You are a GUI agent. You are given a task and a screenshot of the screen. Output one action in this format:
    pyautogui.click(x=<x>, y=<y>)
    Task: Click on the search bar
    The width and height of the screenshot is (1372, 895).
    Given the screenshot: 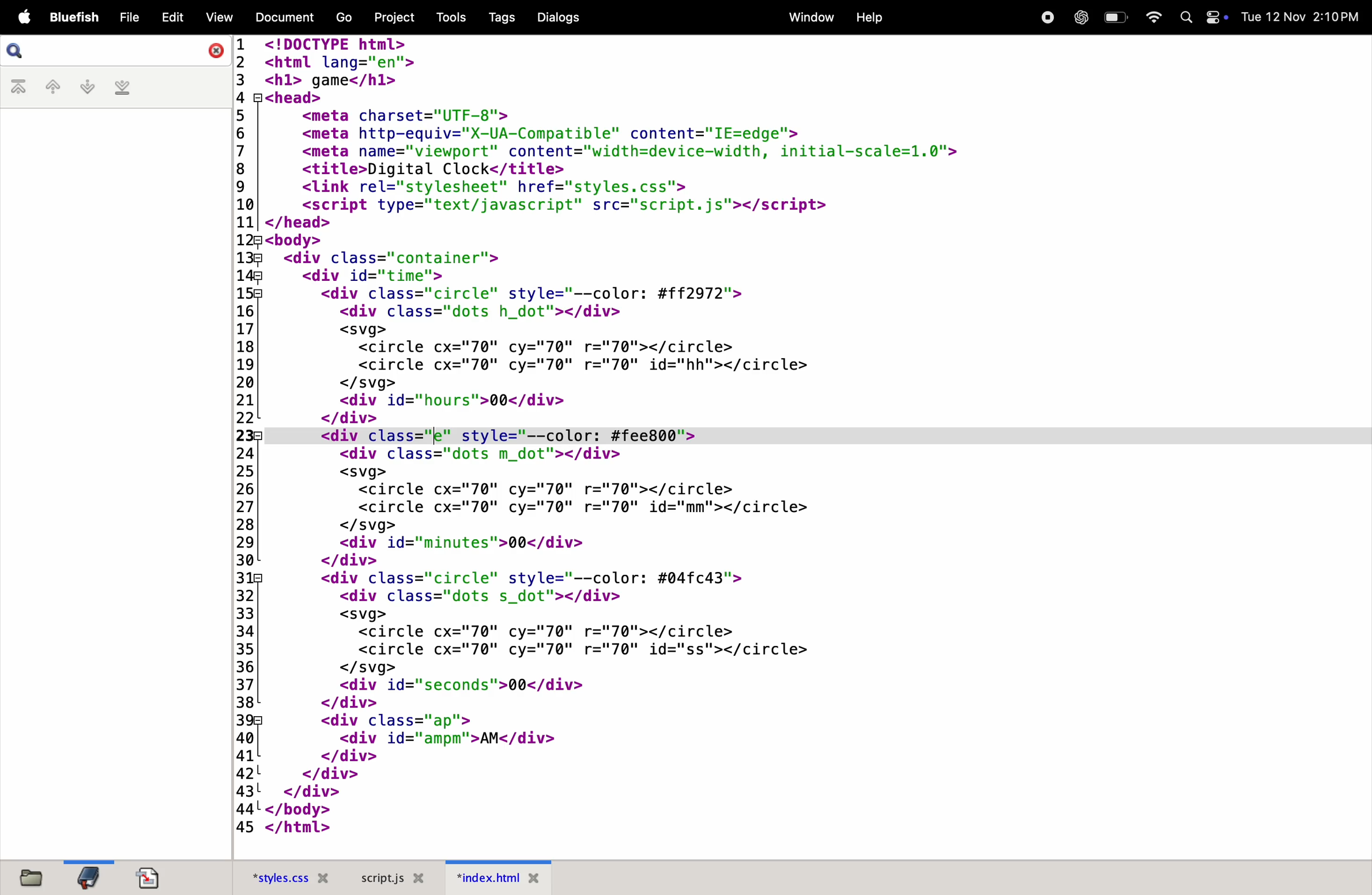 What is the action you would take?
    pyautogui.click(x=17, y=51)
    